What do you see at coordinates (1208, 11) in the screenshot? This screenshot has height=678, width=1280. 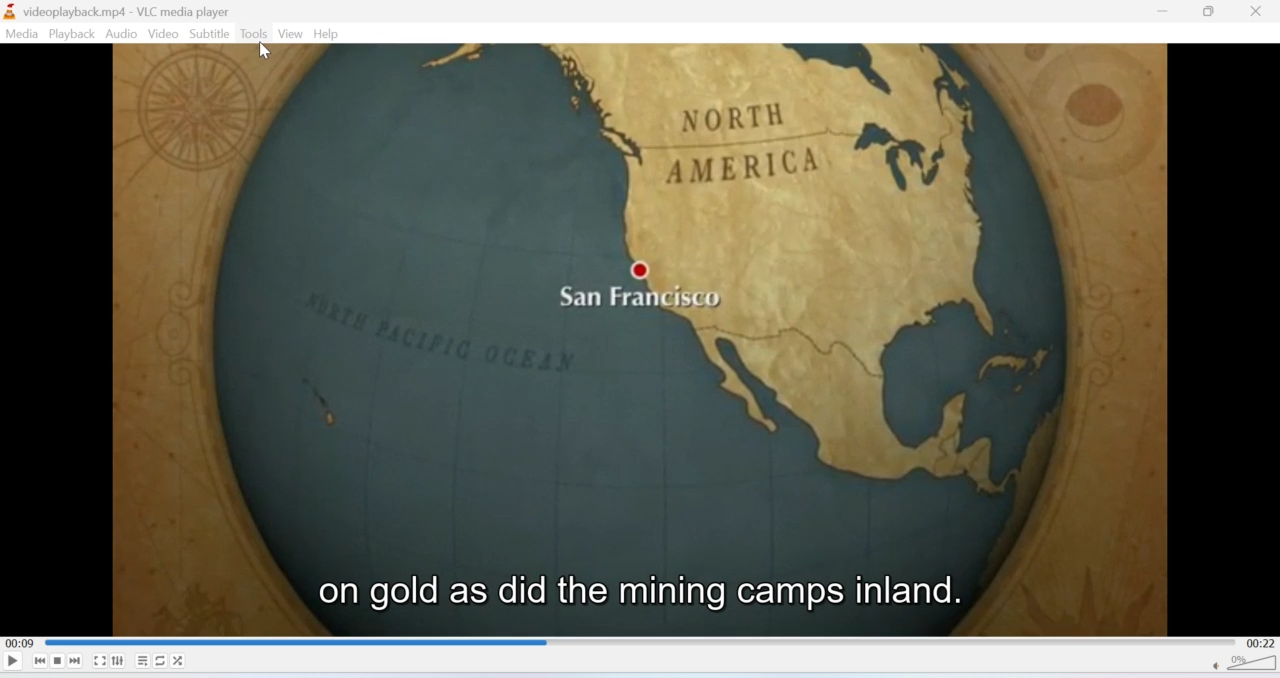 I see `Minimise` at bounding box center [1208, 11].